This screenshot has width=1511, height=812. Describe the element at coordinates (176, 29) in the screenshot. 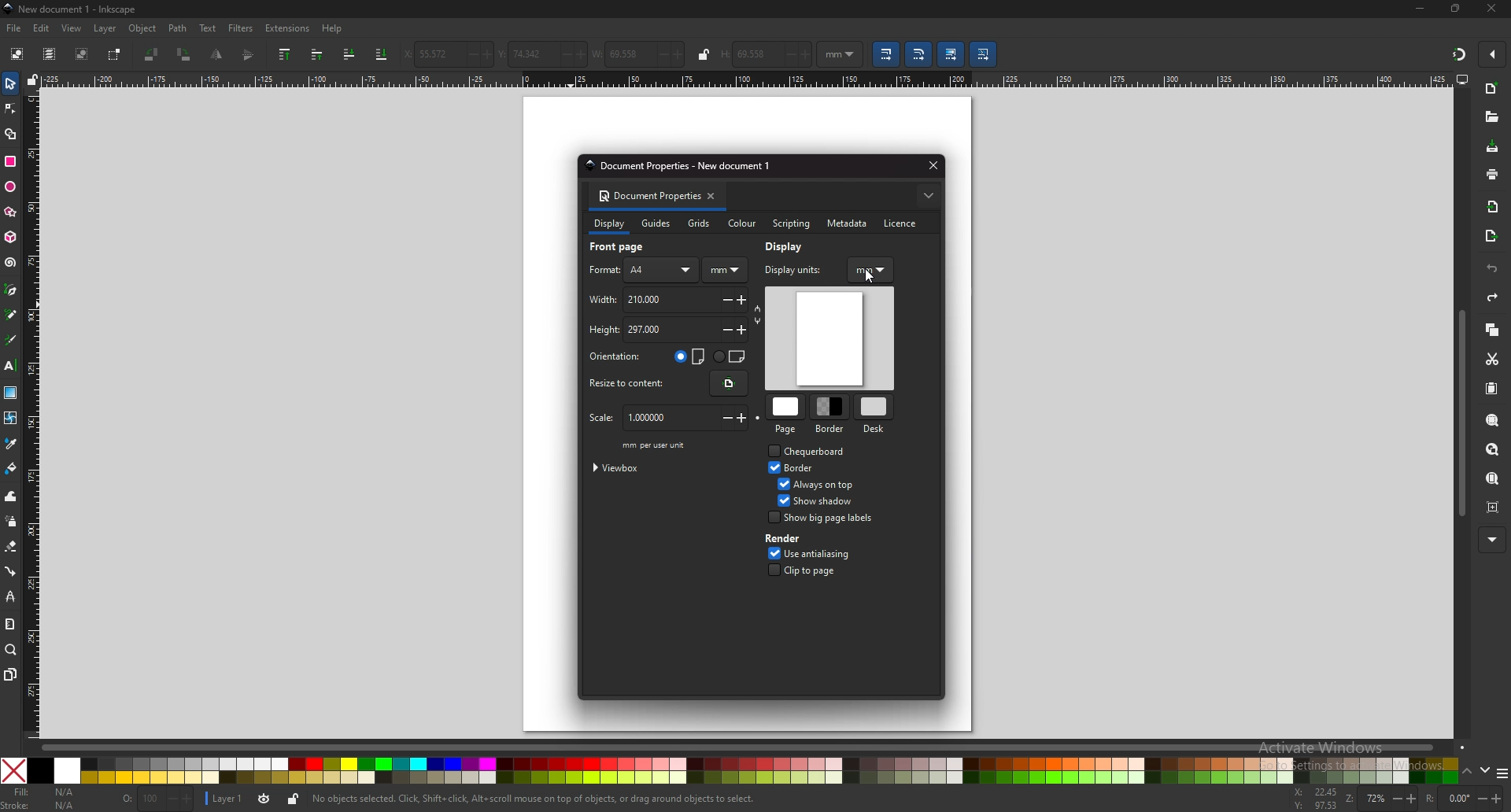

I see `path` at that location.